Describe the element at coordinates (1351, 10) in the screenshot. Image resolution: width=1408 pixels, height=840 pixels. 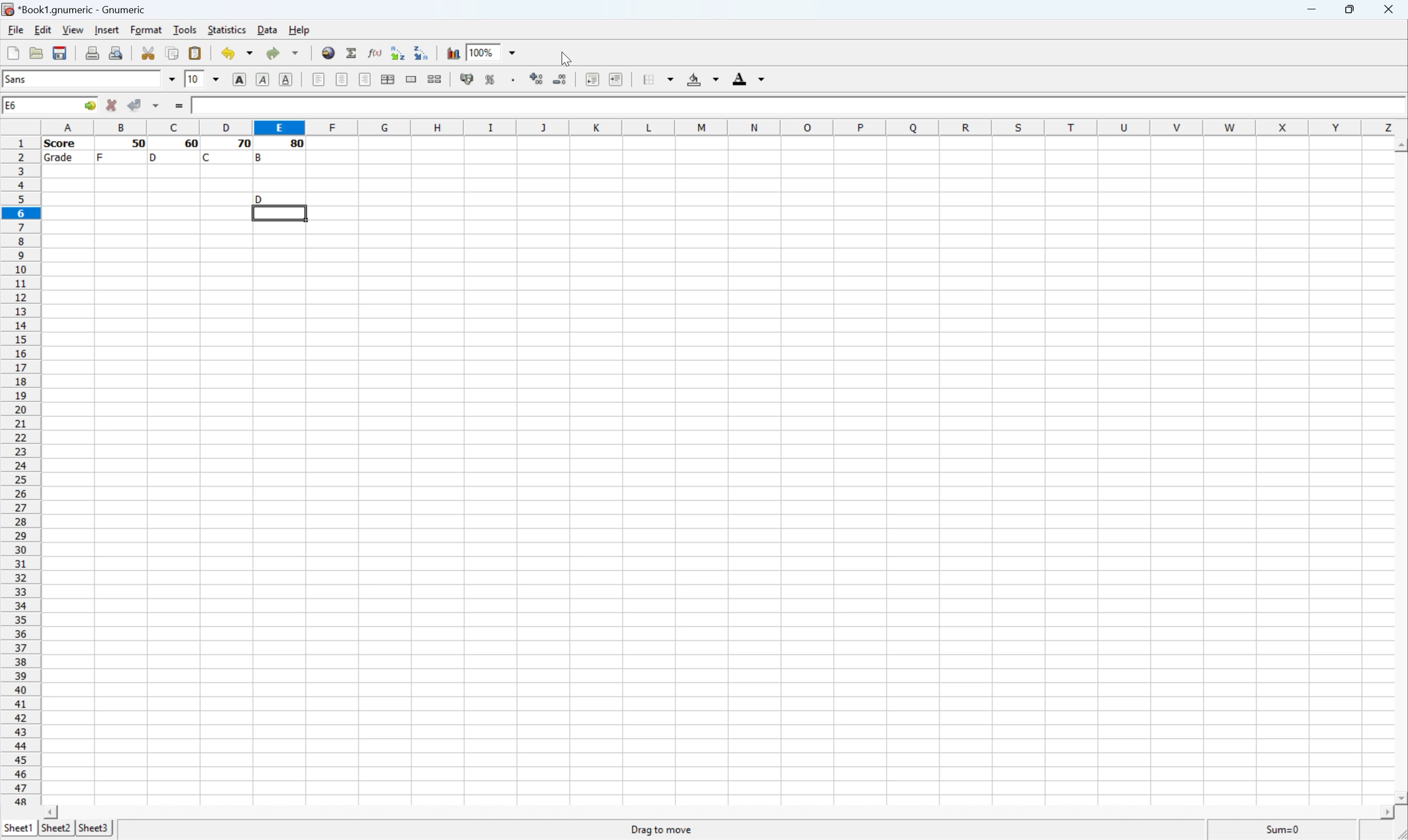
I see `Restore Down` at that location.